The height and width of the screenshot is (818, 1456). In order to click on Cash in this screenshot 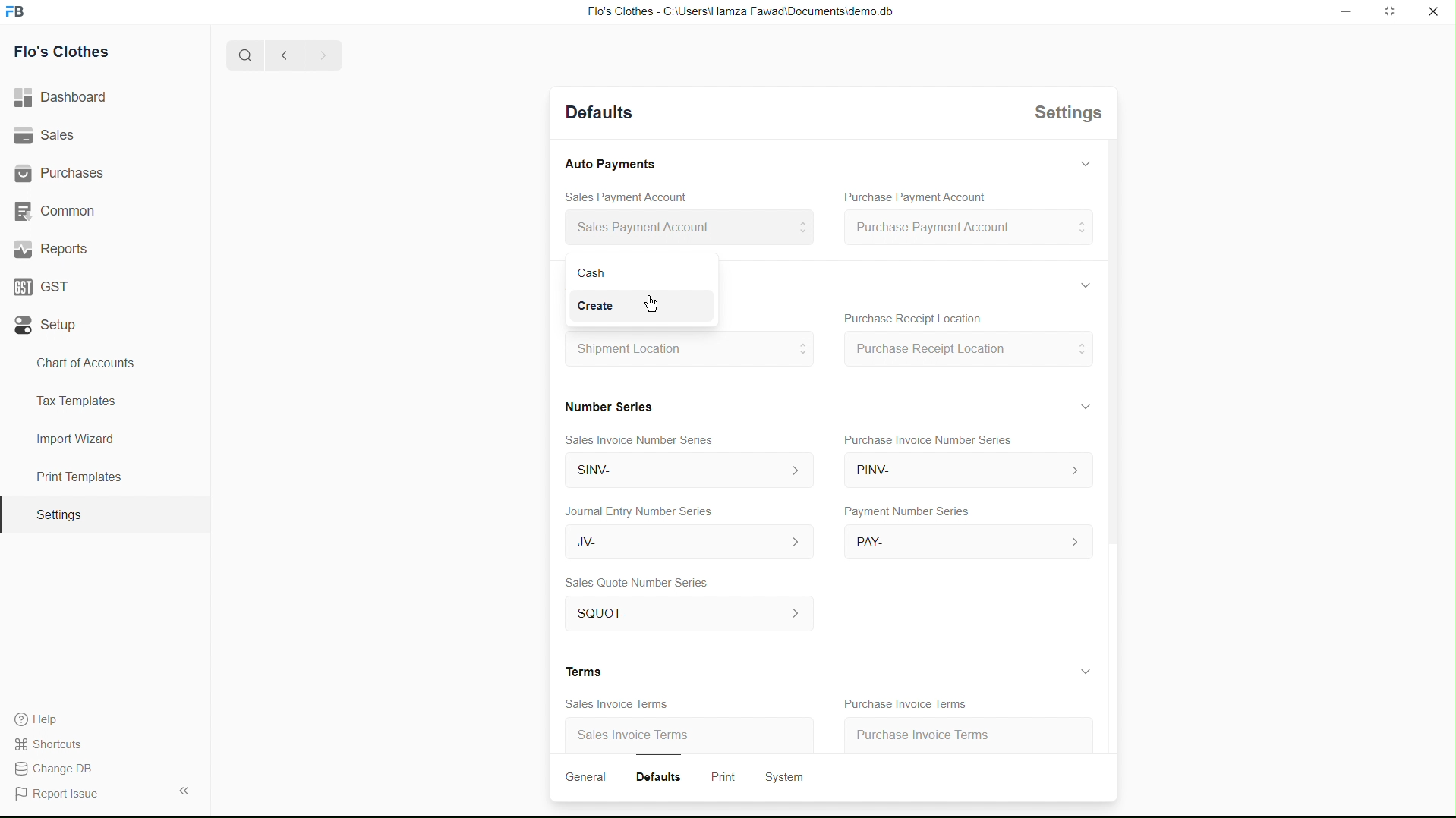, I will do `click(608, 274)`.